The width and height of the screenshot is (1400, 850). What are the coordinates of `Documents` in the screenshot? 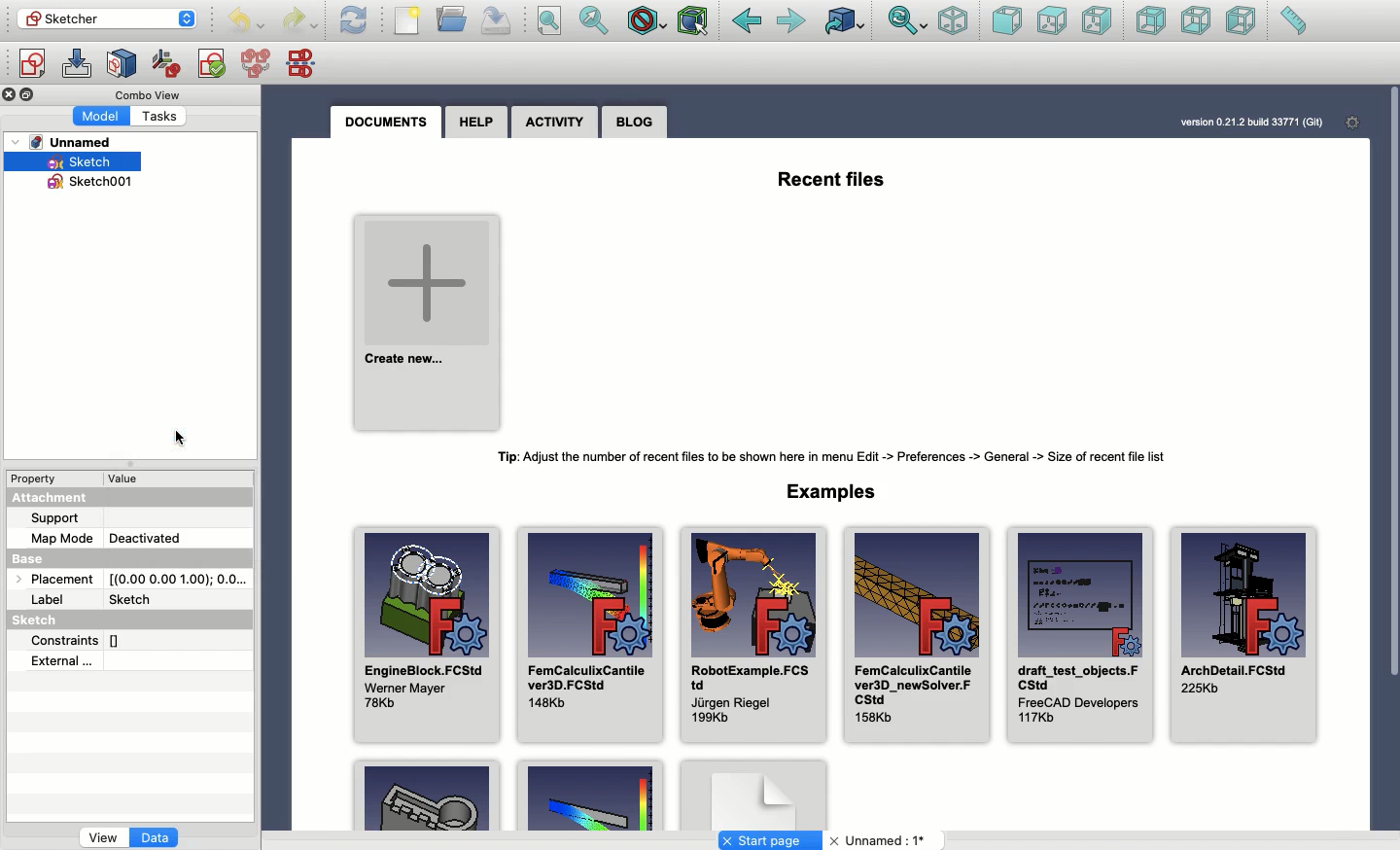 It's located at (392, 123).